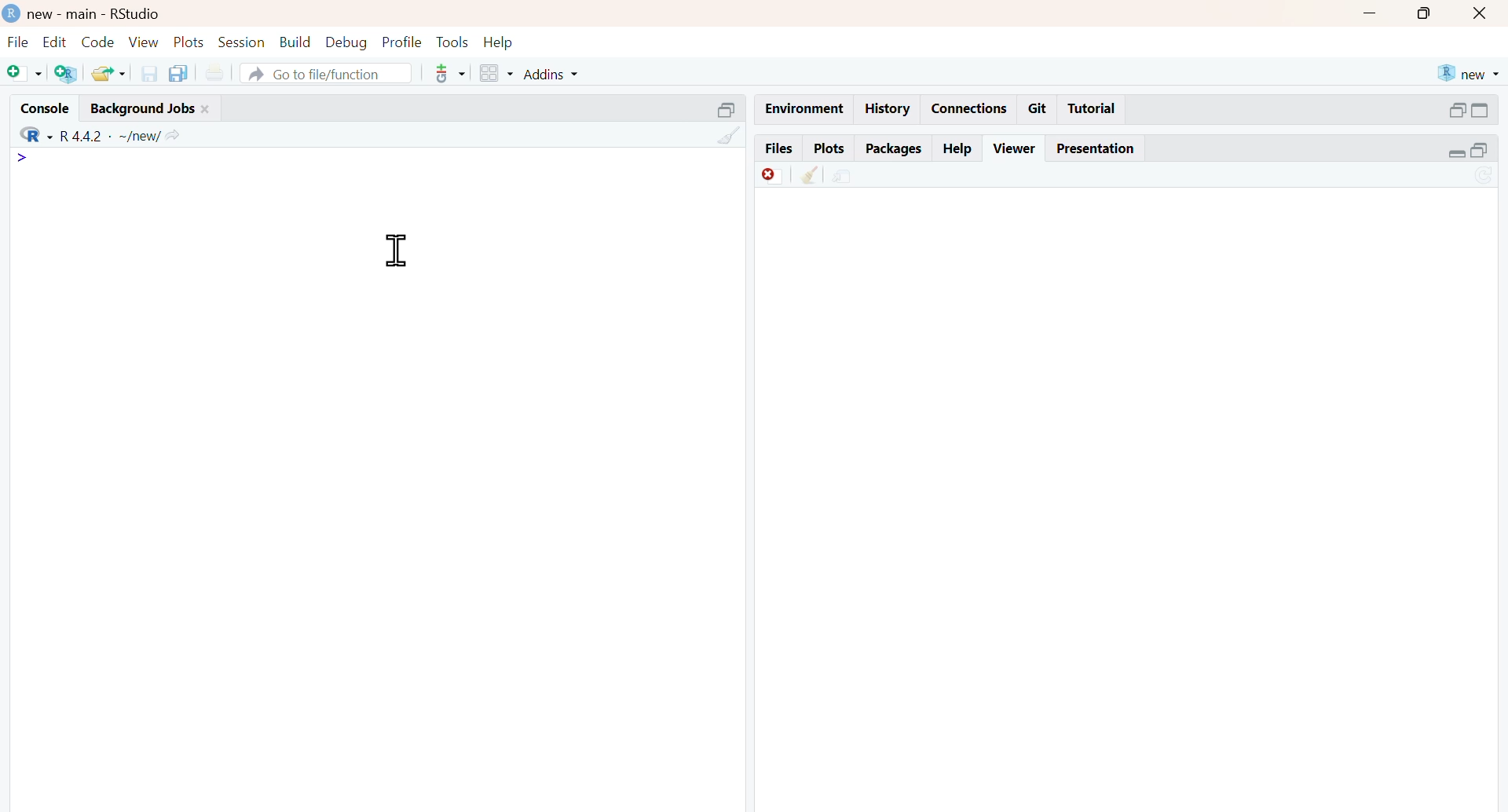  I want to click on new - main - RStudio, so click(96, 16).